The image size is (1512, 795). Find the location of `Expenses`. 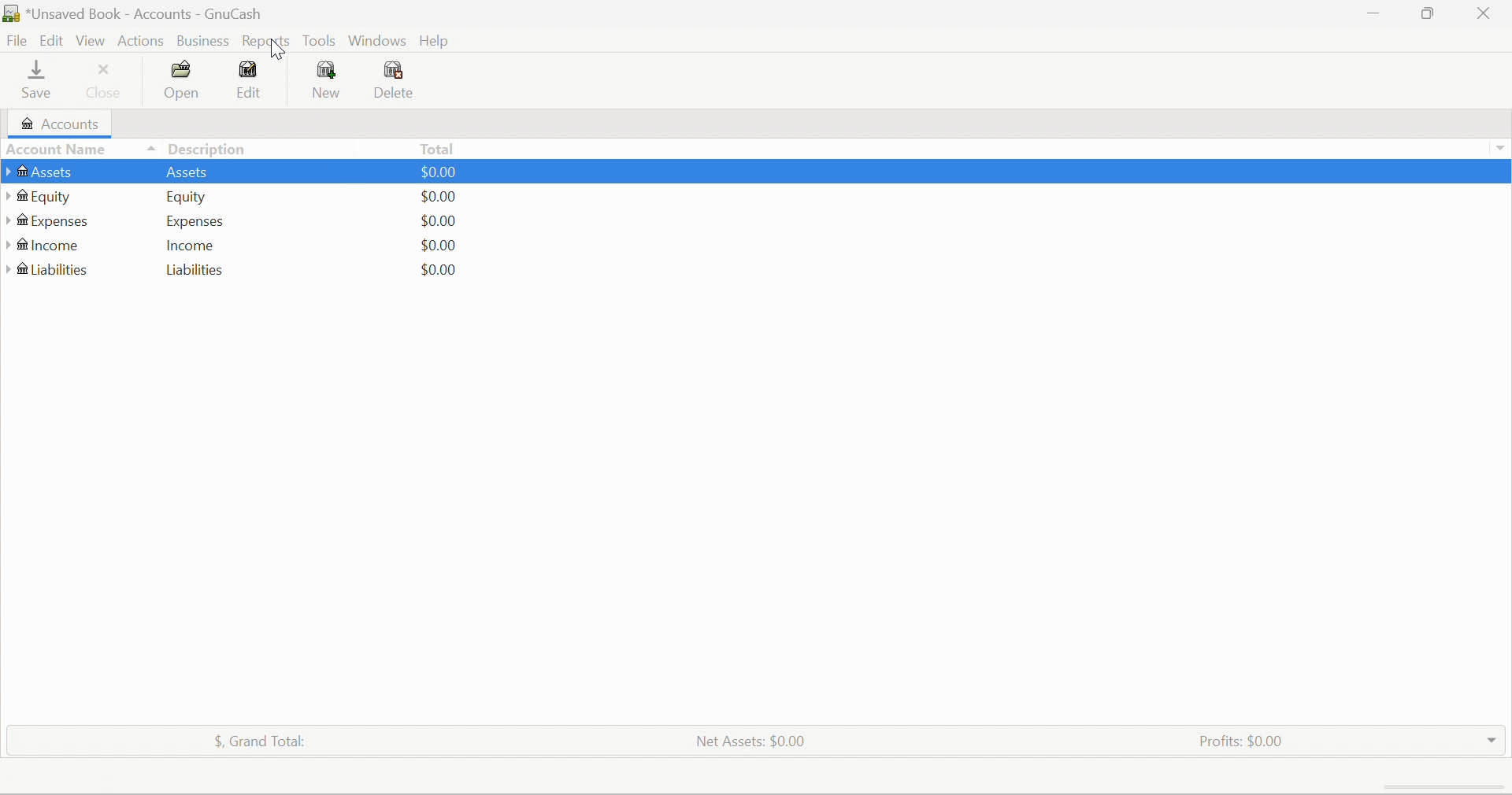

Expenses is located at coordinates (196, 224).